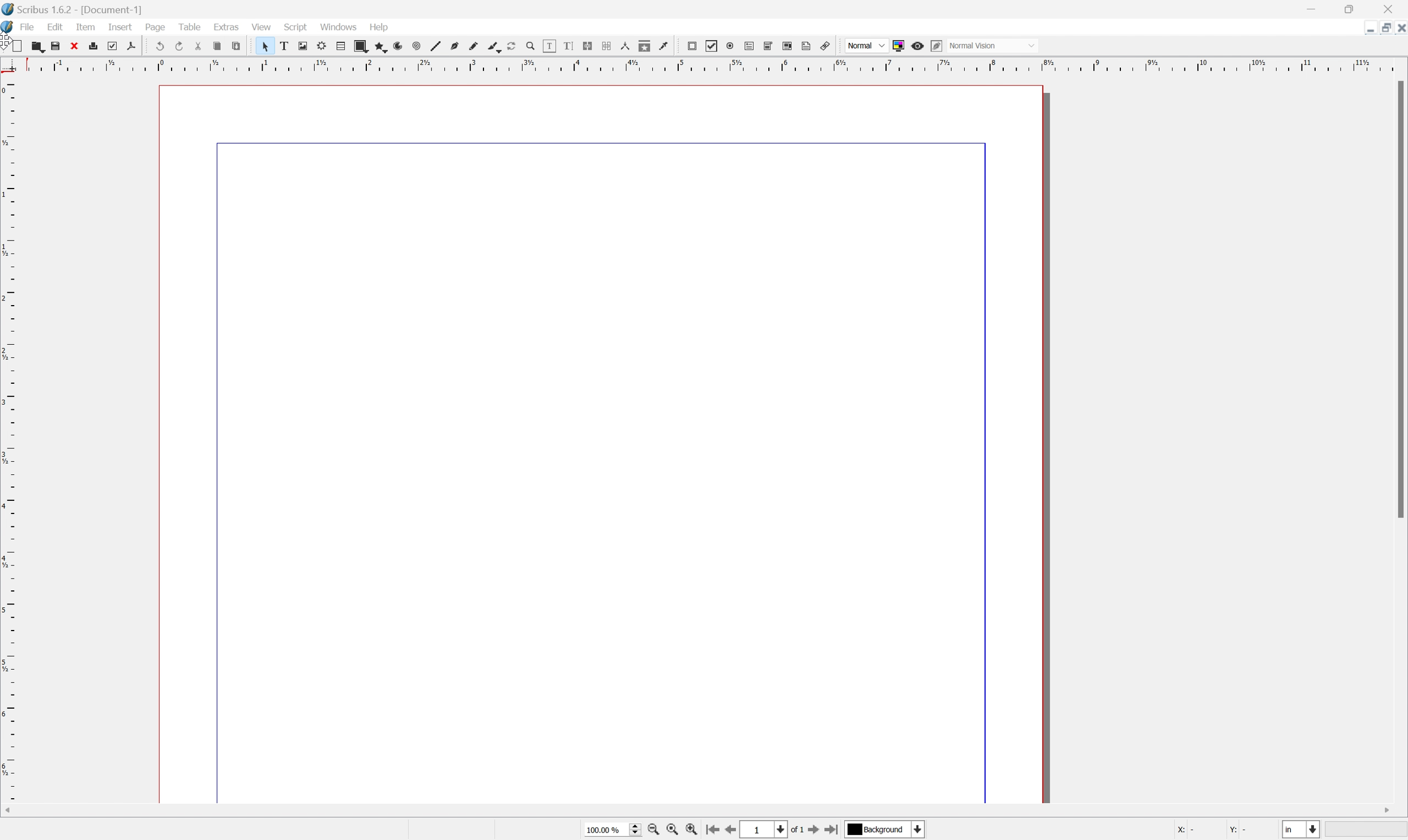 Image resolution: width=1408 pixels, height=840 pixels. Describe the element at coordinates (670, 831) in the screenshot. I see `zoom to 100%` at that location.